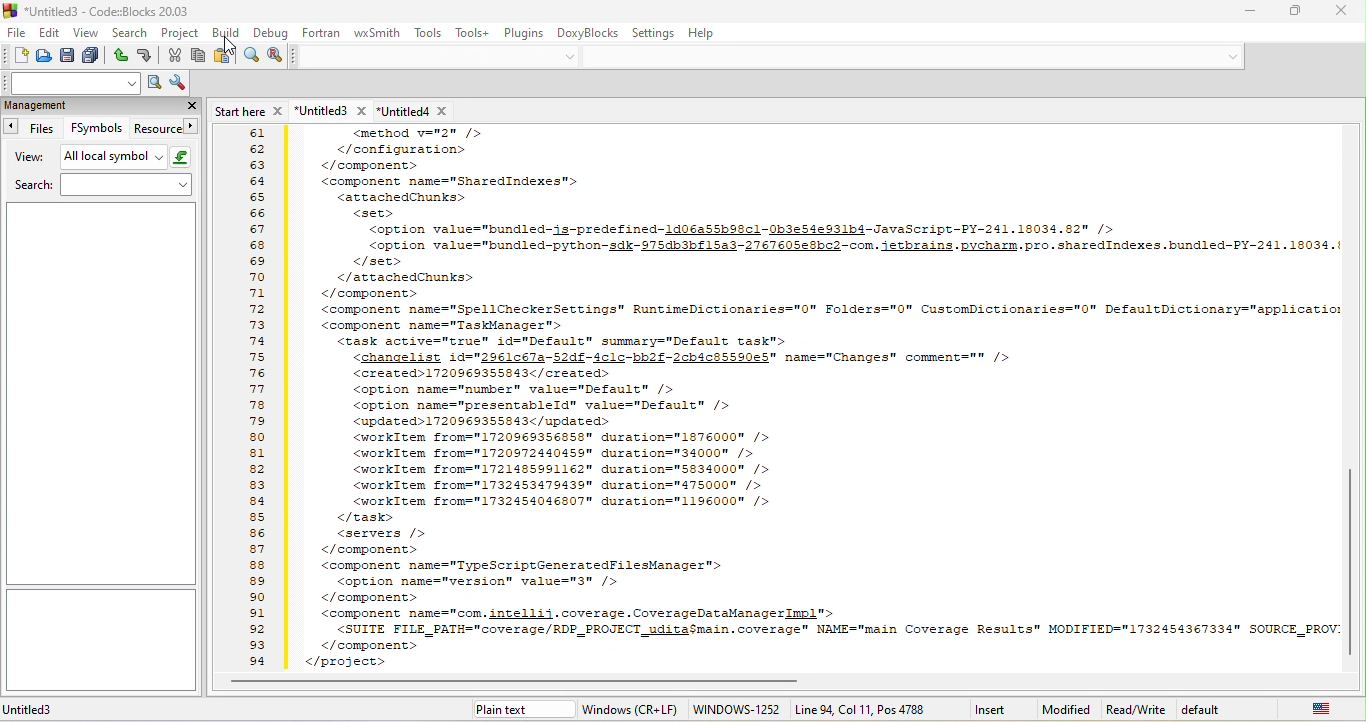 This screenshot has width=1366, height=722. What do you see at coordinates (1223, 56) in the screenshot?
I see `dropdown` at bounding box center [1223, 56].